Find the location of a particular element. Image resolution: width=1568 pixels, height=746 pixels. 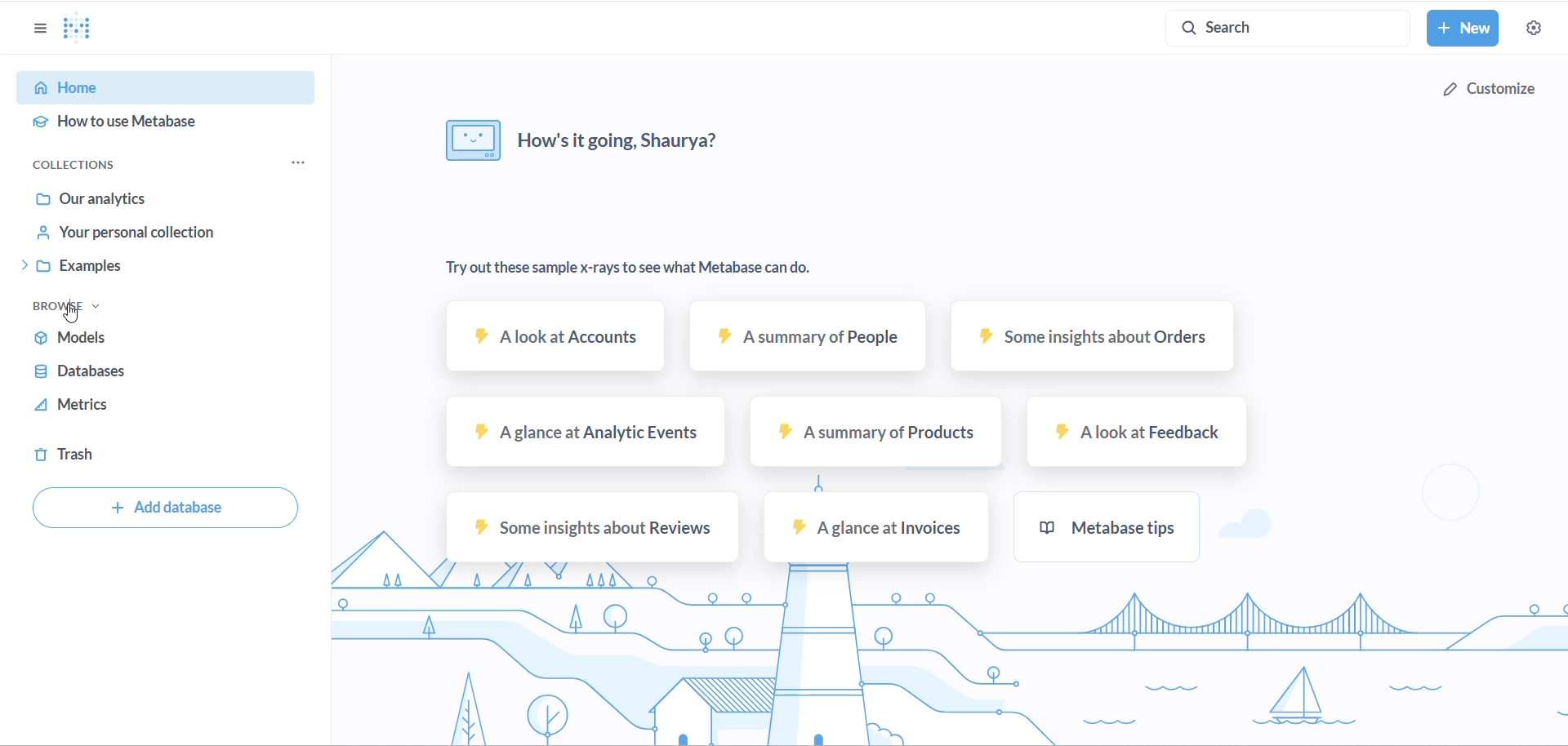

A look at feedback is located at coordinates (1134, 439).